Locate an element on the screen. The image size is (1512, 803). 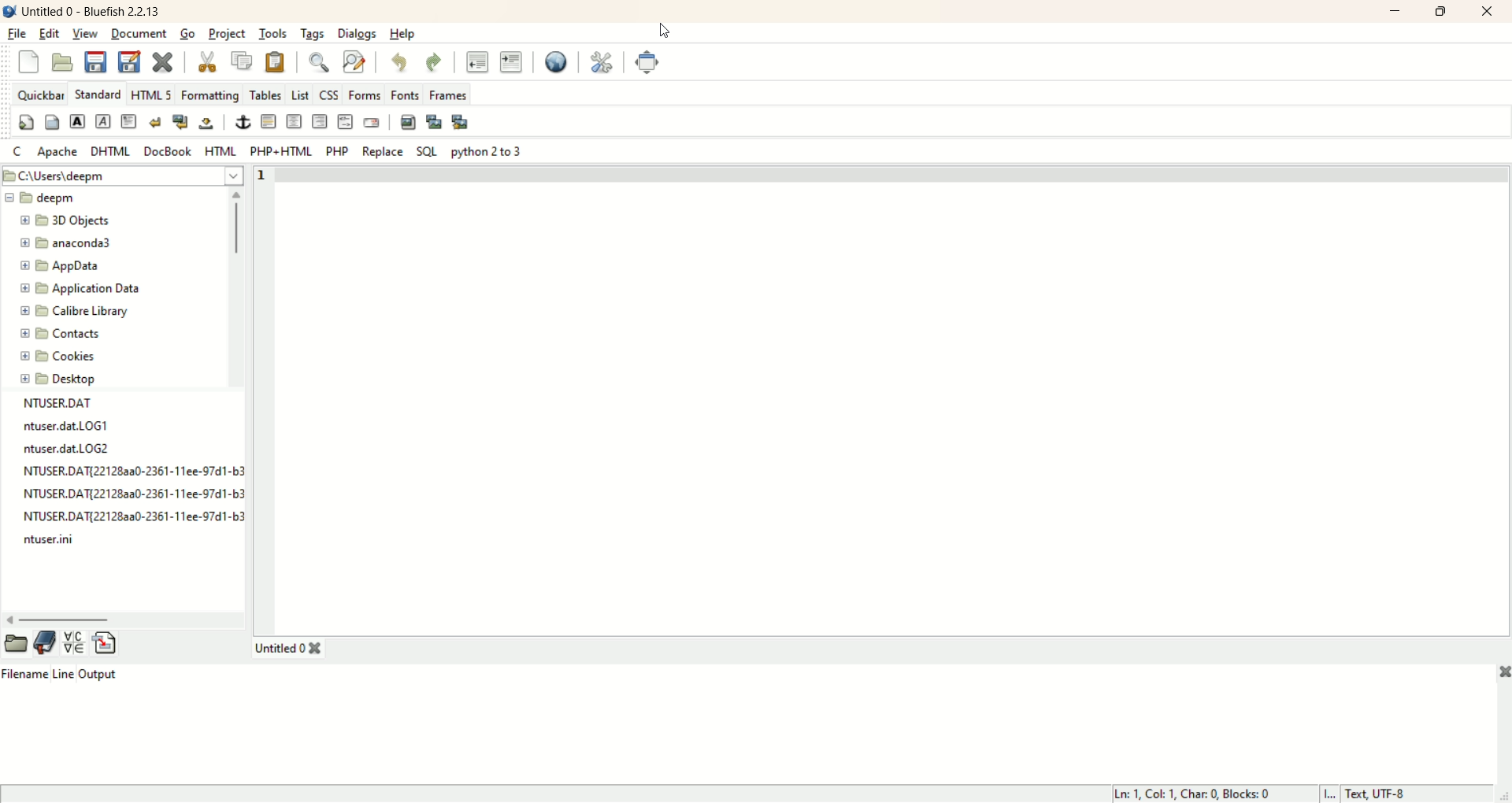
PHP+HTML is located at coordinates (281, 152).